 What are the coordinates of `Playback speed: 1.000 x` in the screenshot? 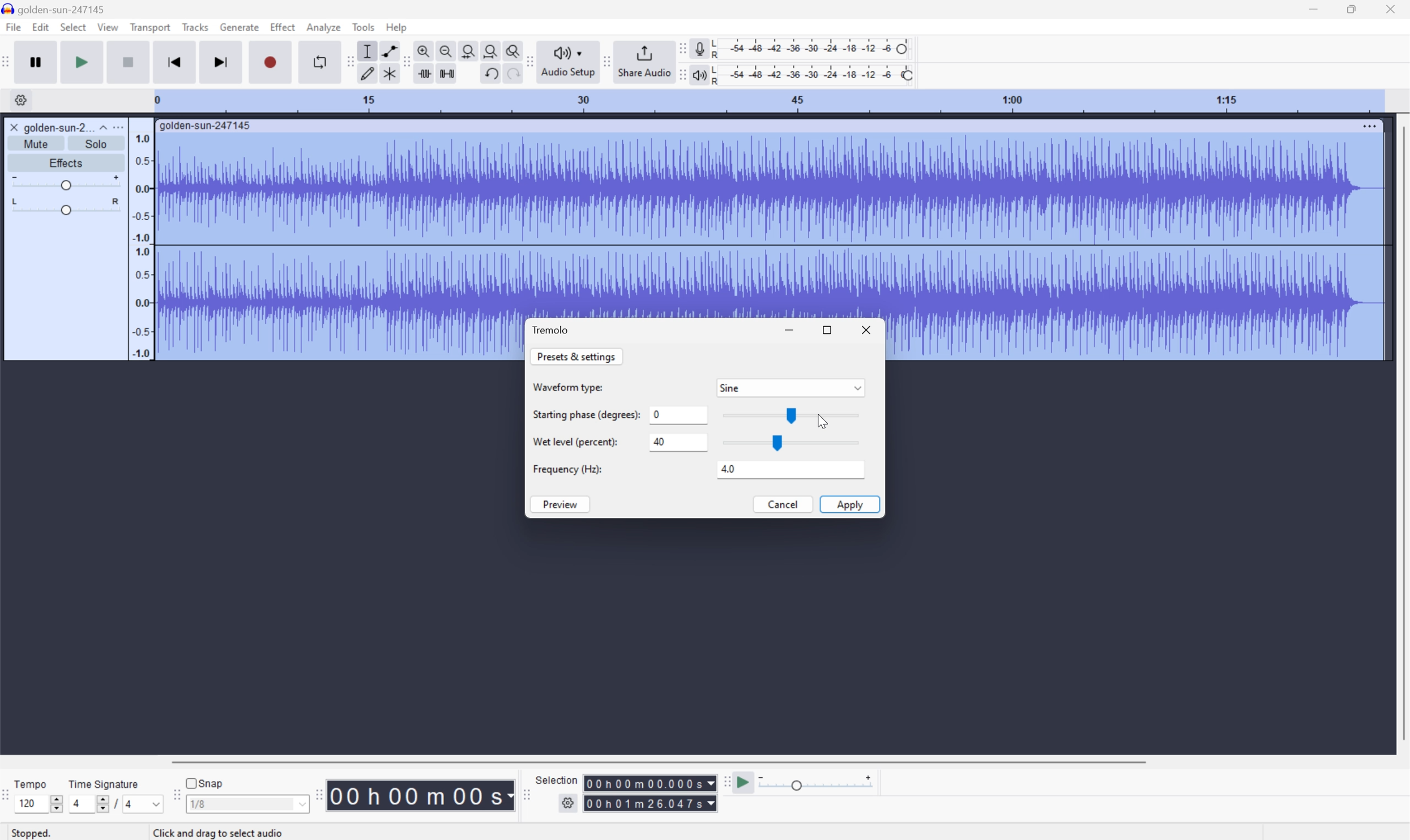 It's located at (818, 781).